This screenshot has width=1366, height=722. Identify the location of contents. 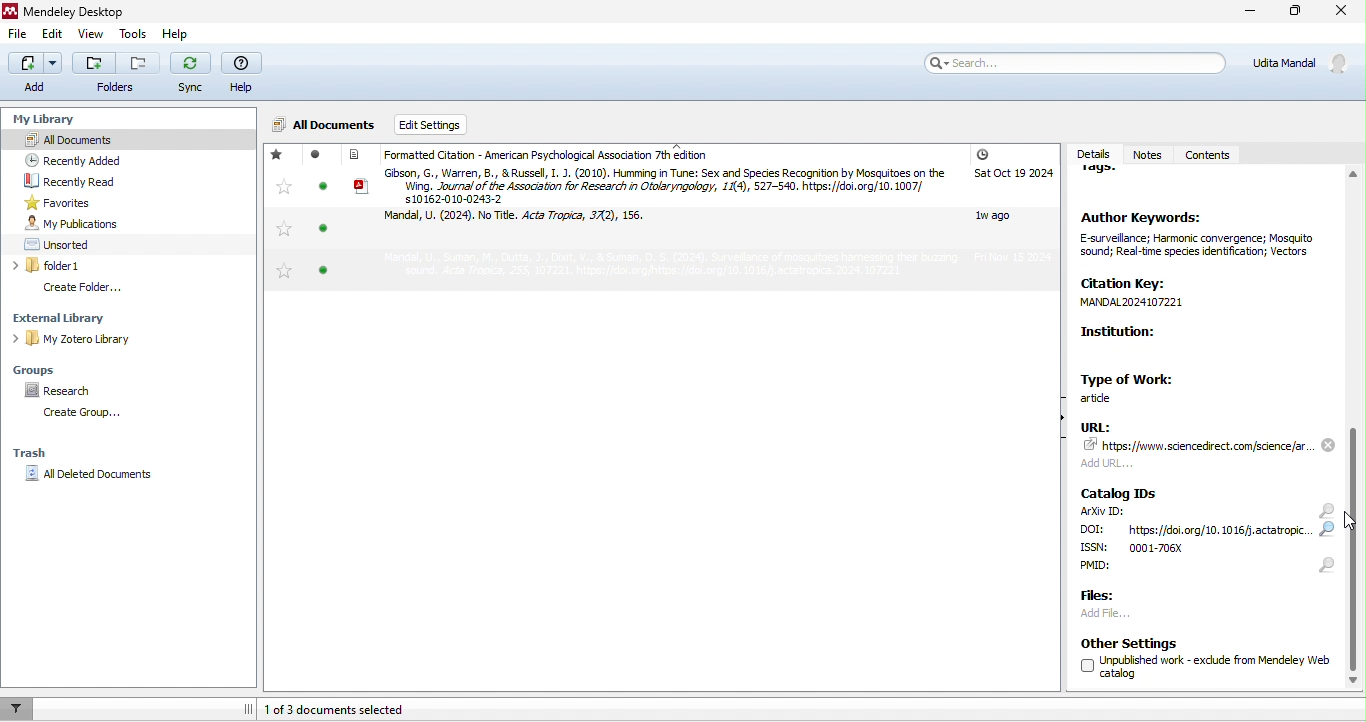
(1210, 156).